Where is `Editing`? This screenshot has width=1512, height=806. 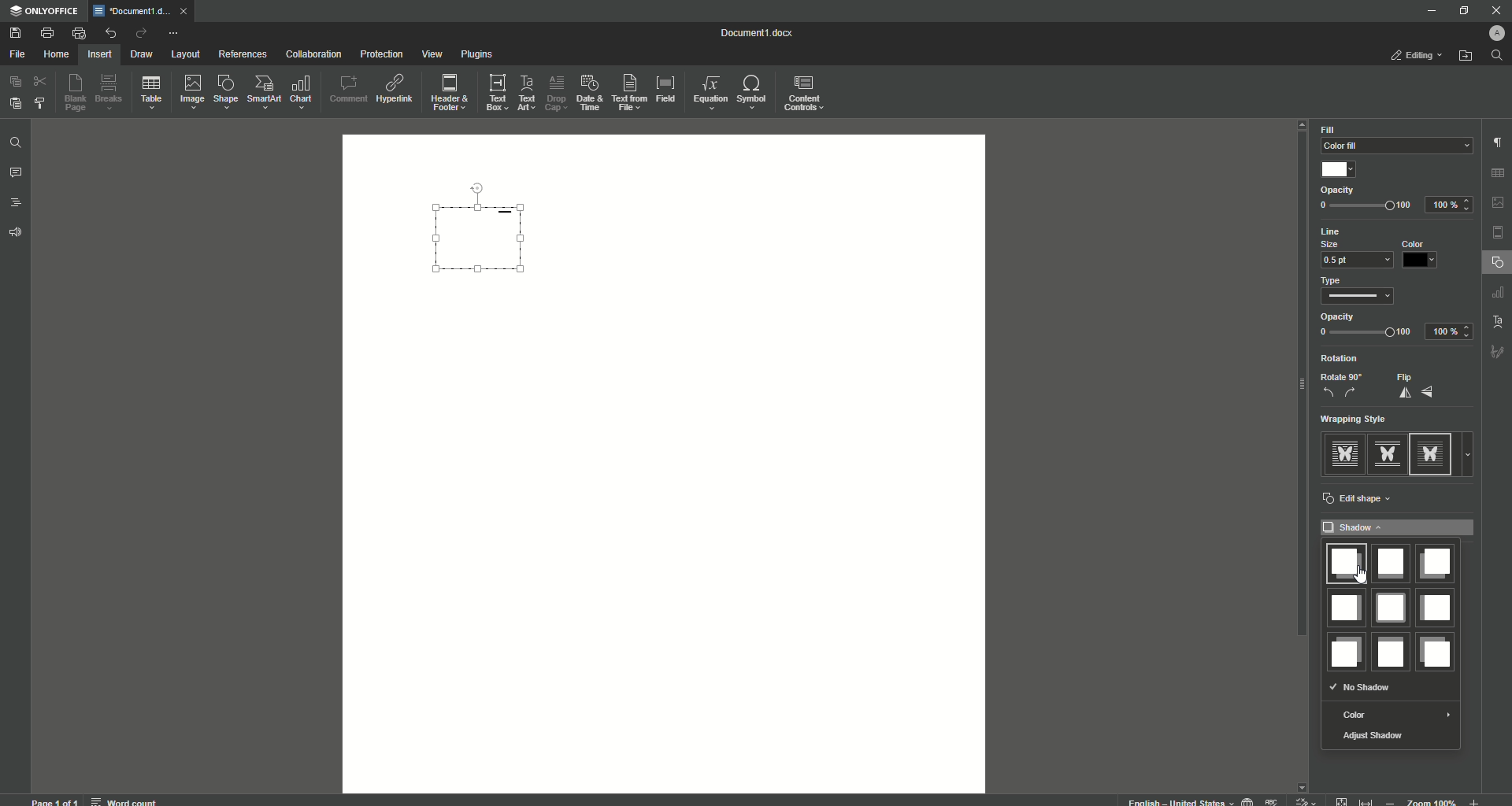 Editing is located at coordinates (1419, 55).